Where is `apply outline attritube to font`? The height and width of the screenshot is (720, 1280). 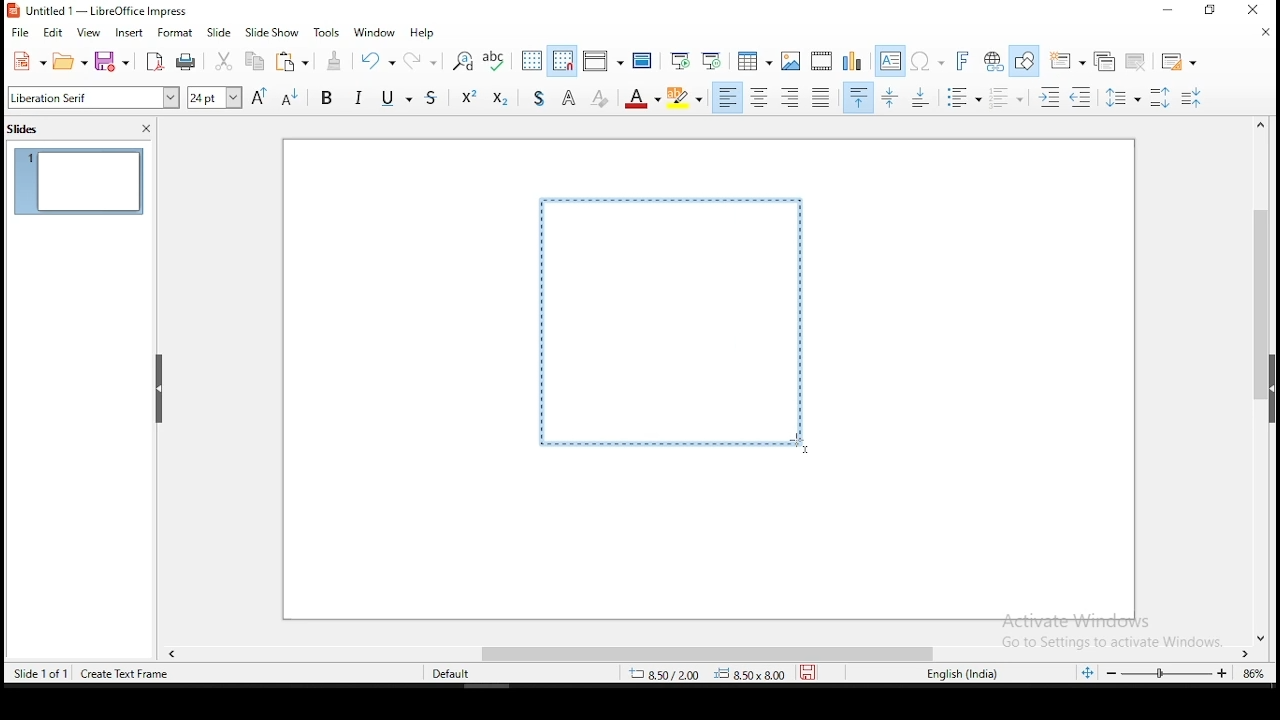
apply outline attritube to font is located at coordinates (566, 98).